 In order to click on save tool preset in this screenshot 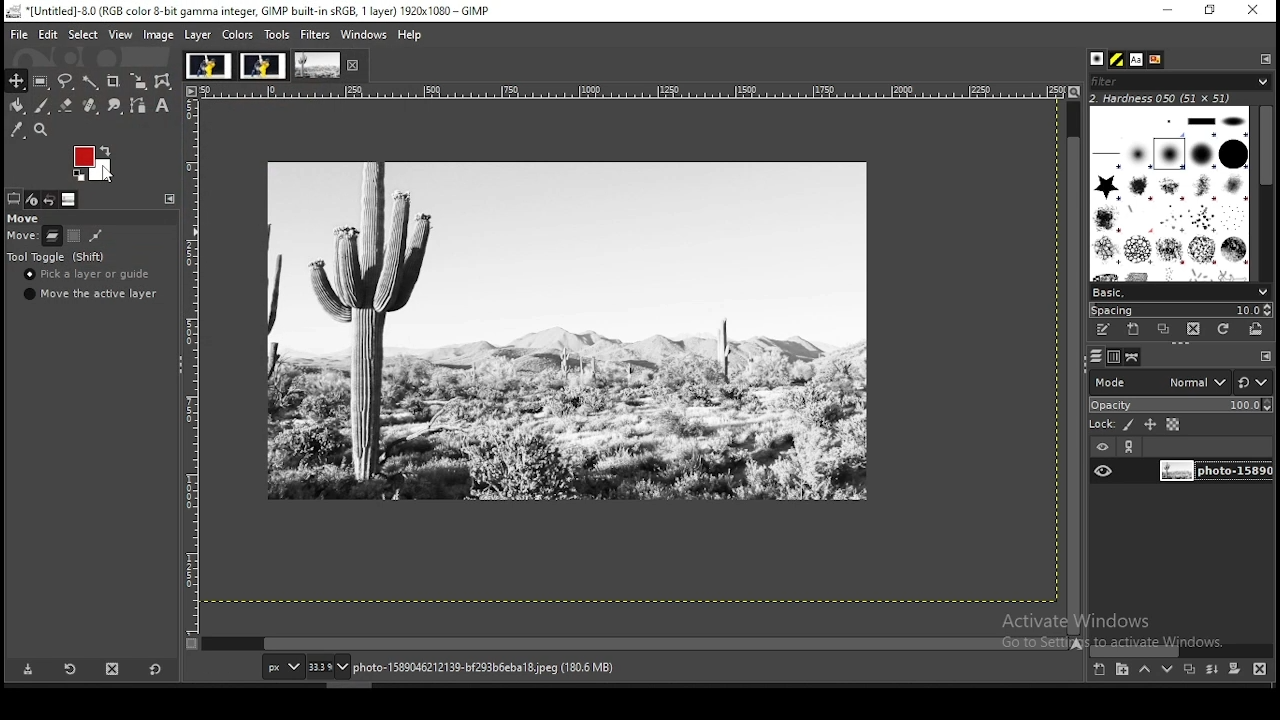, I will do `click(26, 670)`.